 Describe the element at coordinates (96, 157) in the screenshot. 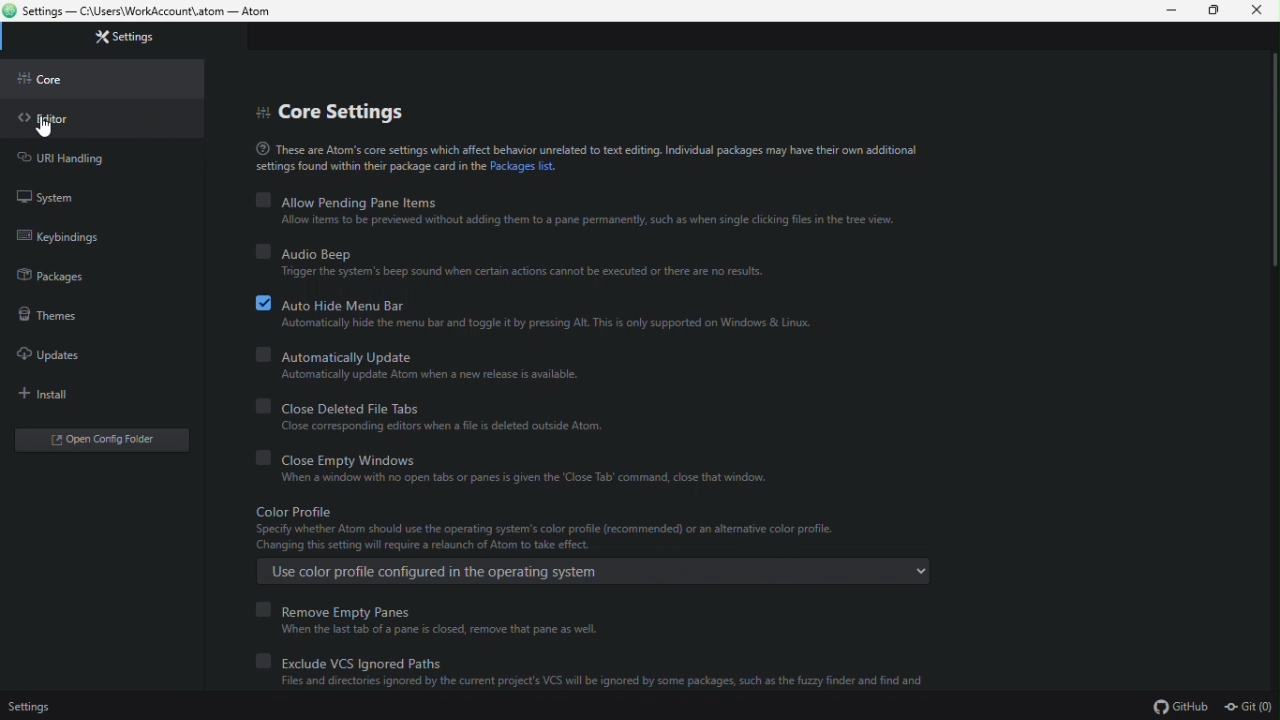

I see `URL handling` at that location.